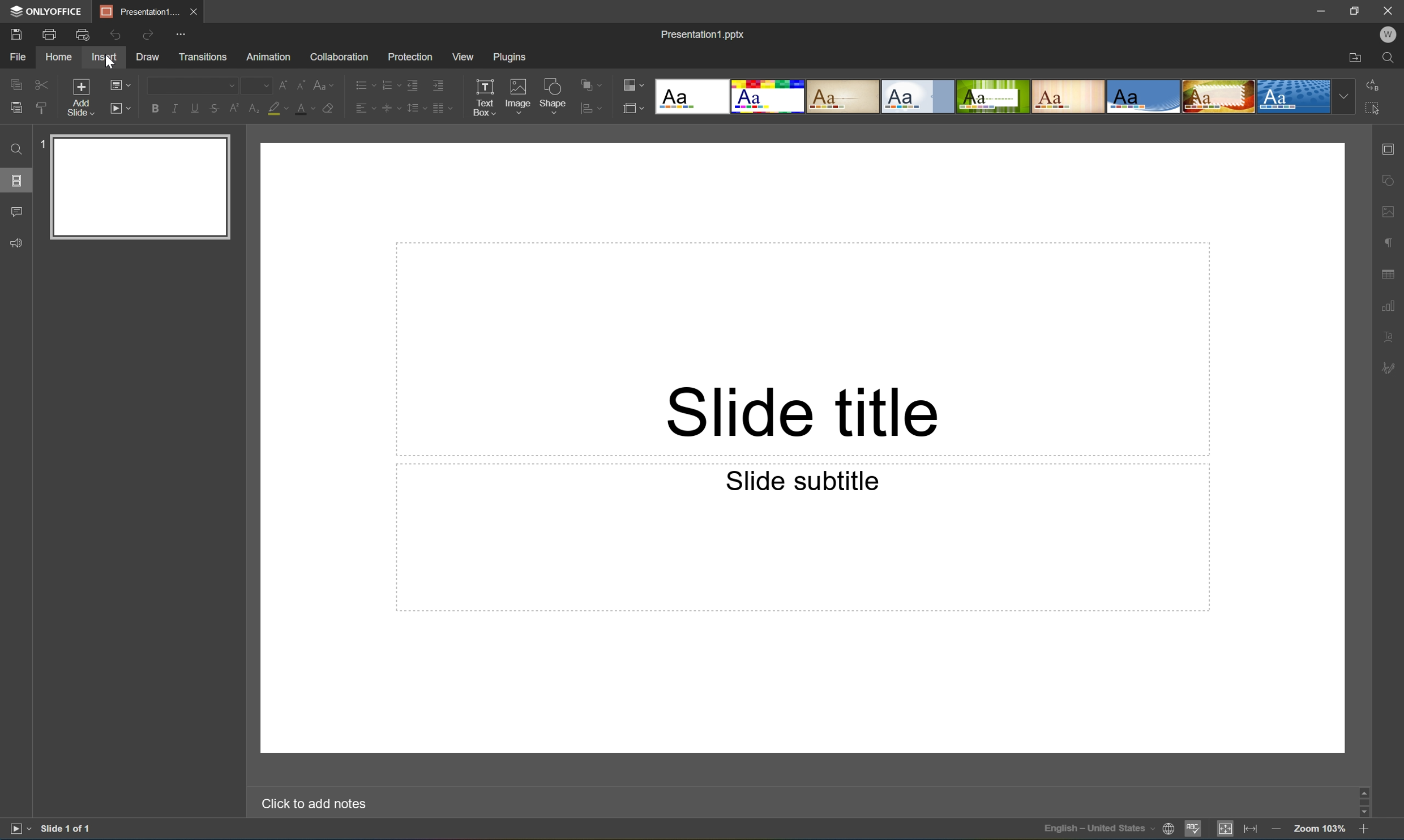 The height and width of the screenshot is (840, 1404). I want to click on Feedback & Support, so click(18, 243).